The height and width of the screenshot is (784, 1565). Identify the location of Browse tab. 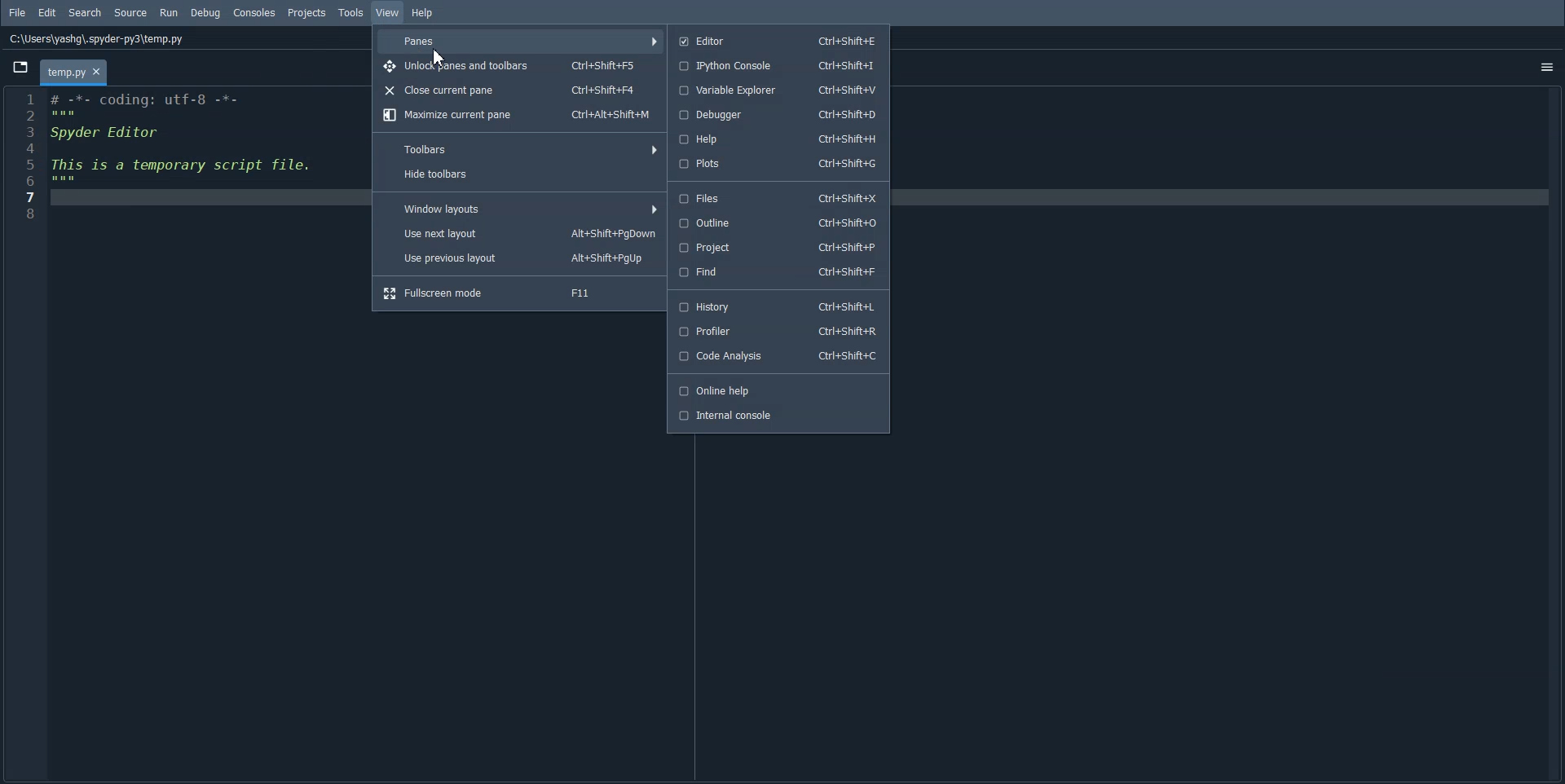
(20, 67).